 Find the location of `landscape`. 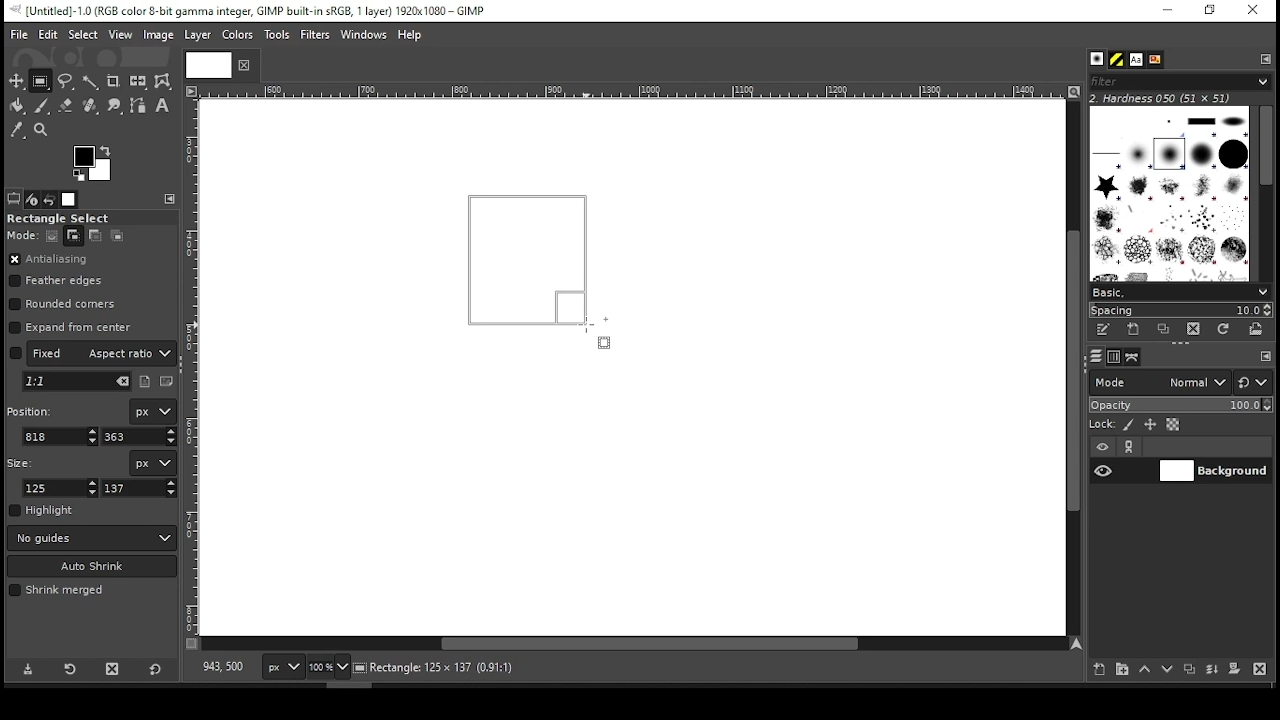

landscape is located at coordinates (168, 383).